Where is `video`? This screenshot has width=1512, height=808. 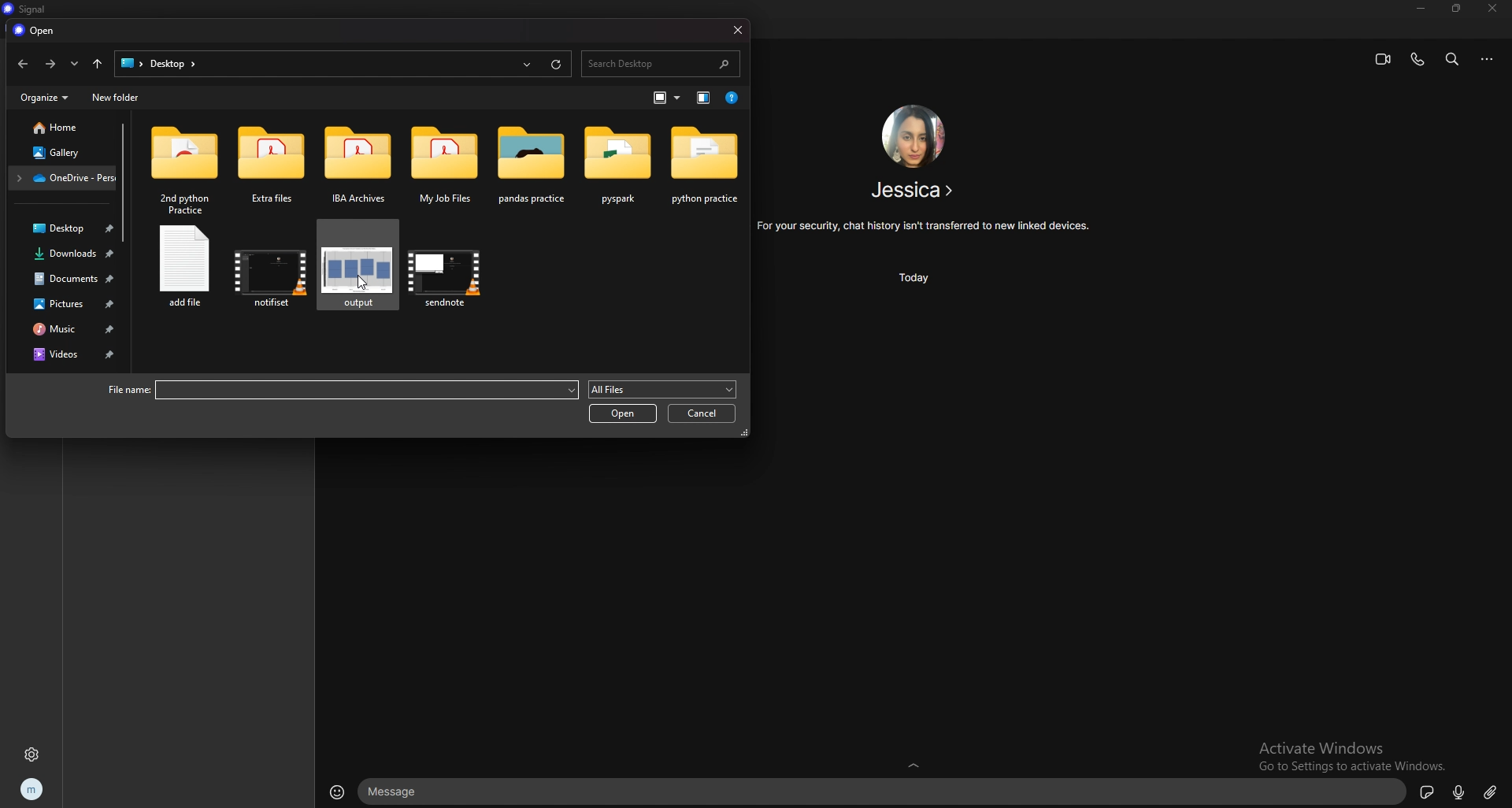
video is located at coordinates (269, 276).